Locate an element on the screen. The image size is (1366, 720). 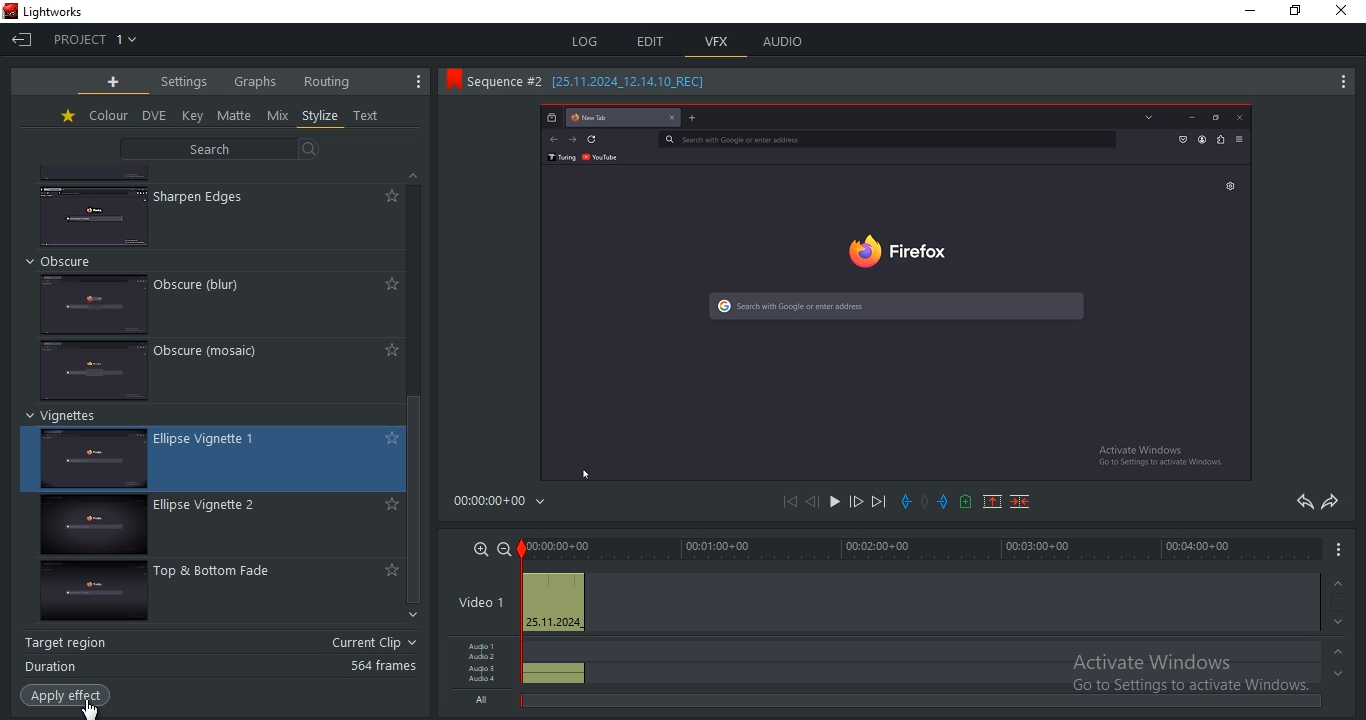
Thumbnail is located at coordinates (94, 213).